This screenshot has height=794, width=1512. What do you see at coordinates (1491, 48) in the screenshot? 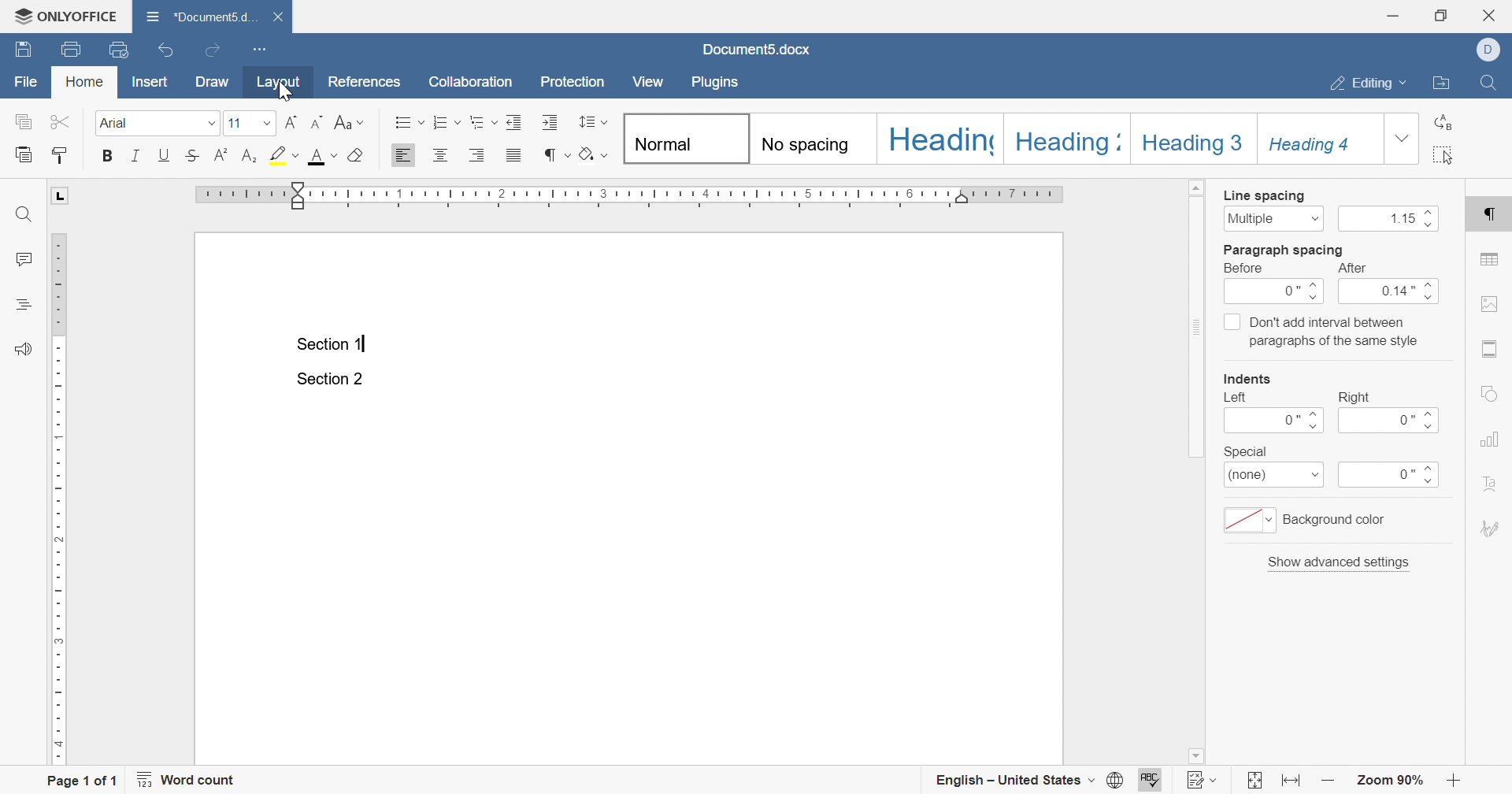
I see `Dell` at bounding box center [1491, 48].